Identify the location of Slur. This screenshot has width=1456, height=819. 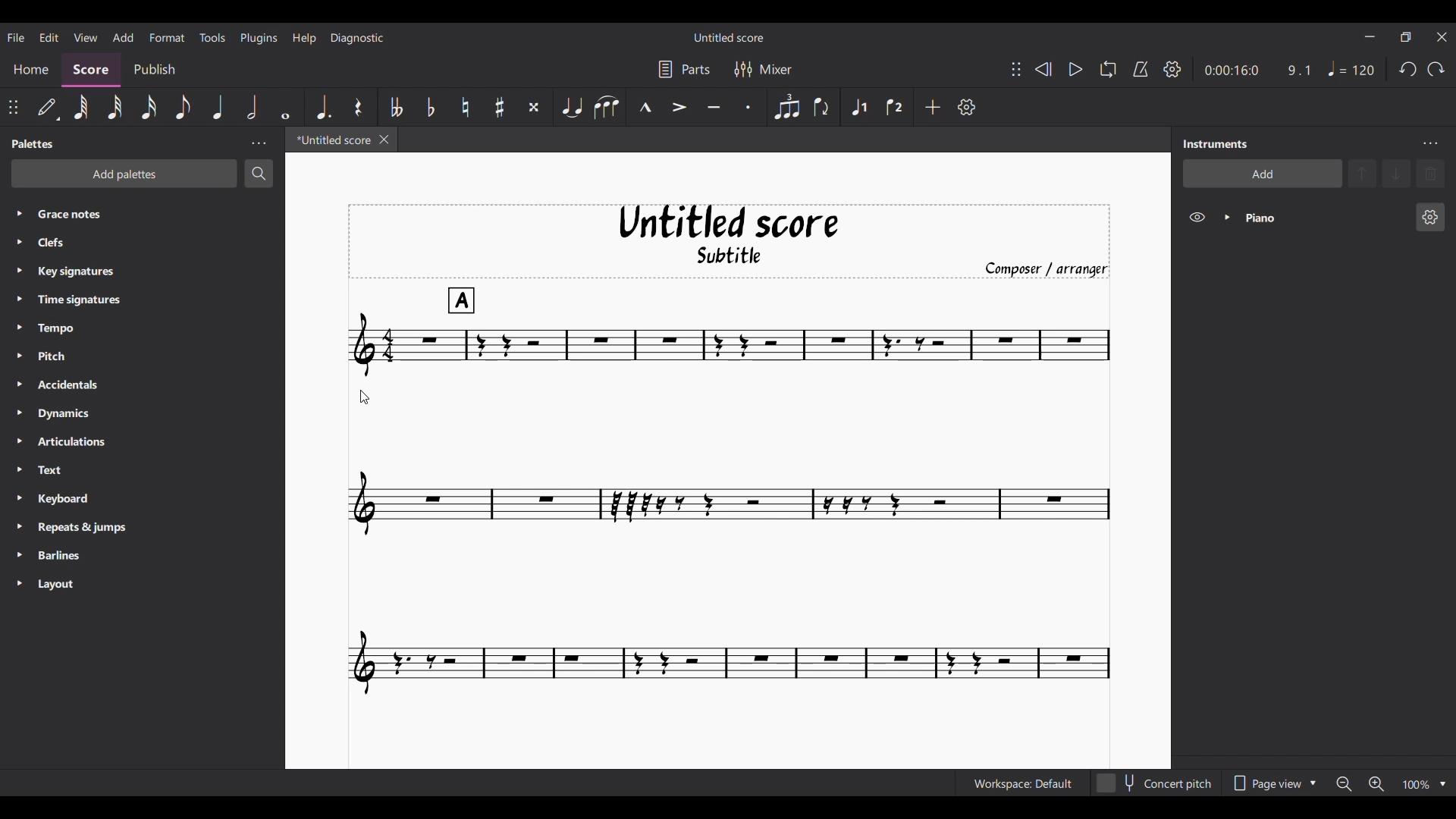
(606, 107).